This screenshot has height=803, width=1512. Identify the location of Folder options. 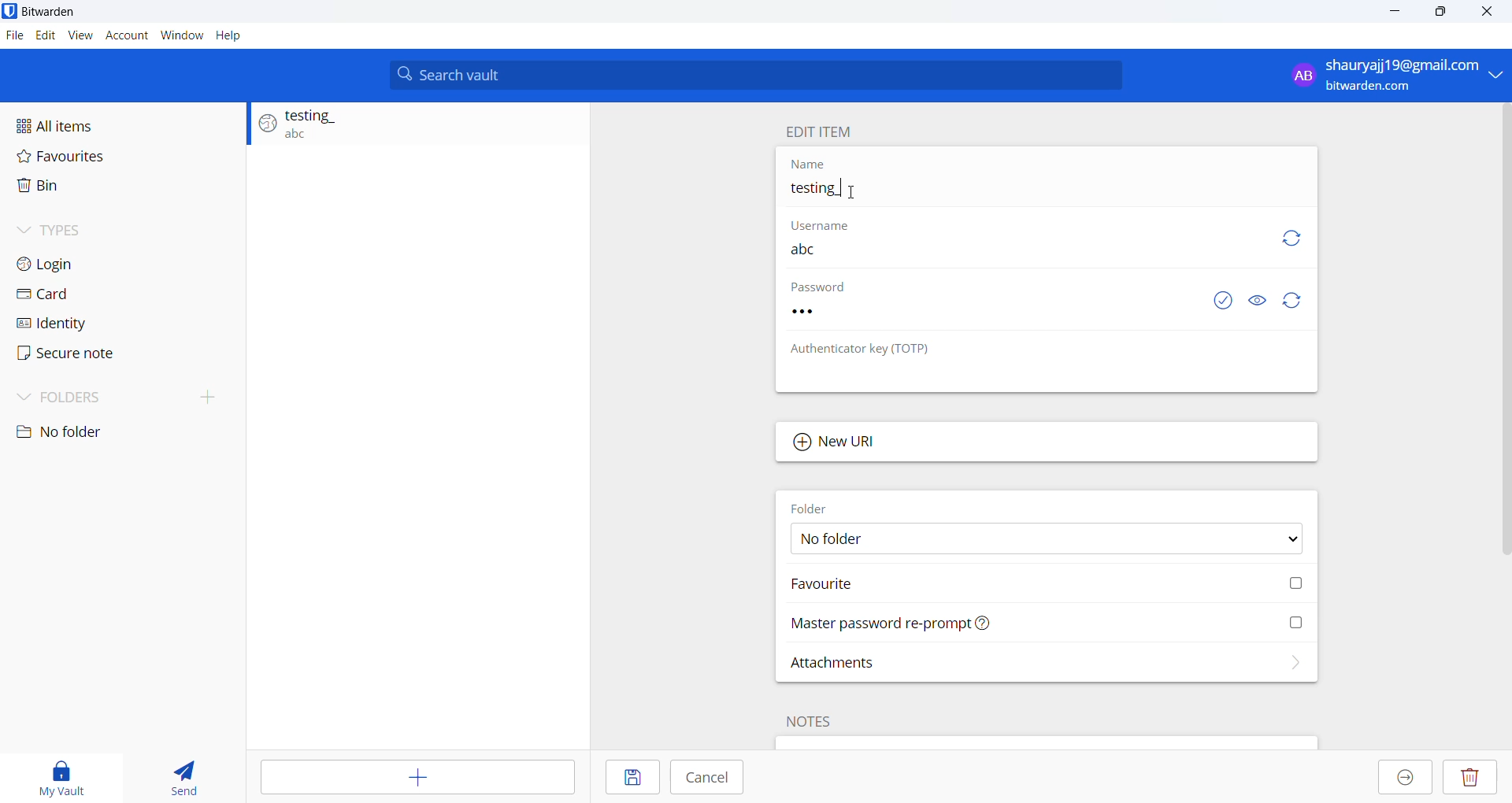
(1039, 539).